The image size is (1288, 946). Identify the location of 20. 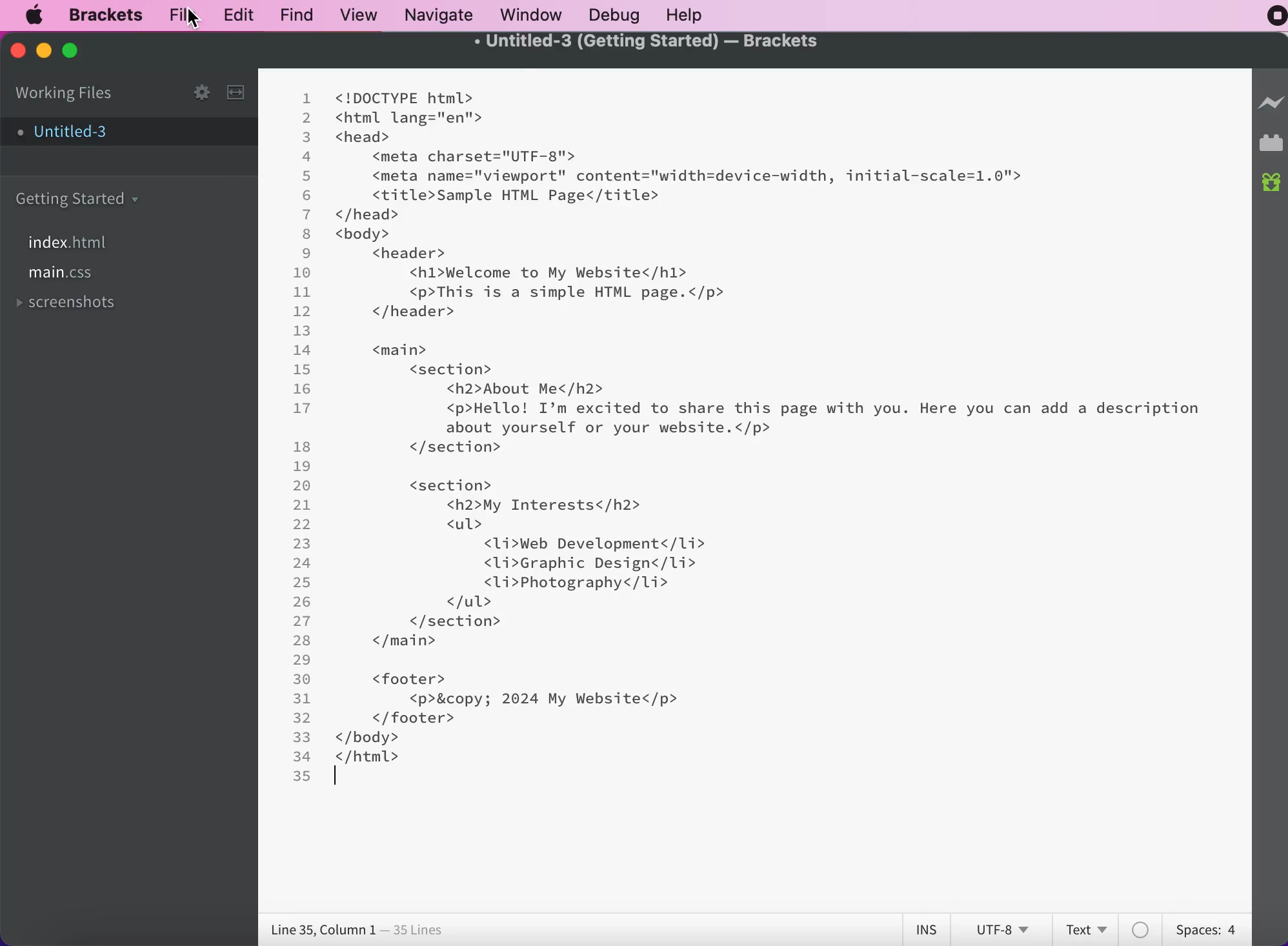
(302, 486).